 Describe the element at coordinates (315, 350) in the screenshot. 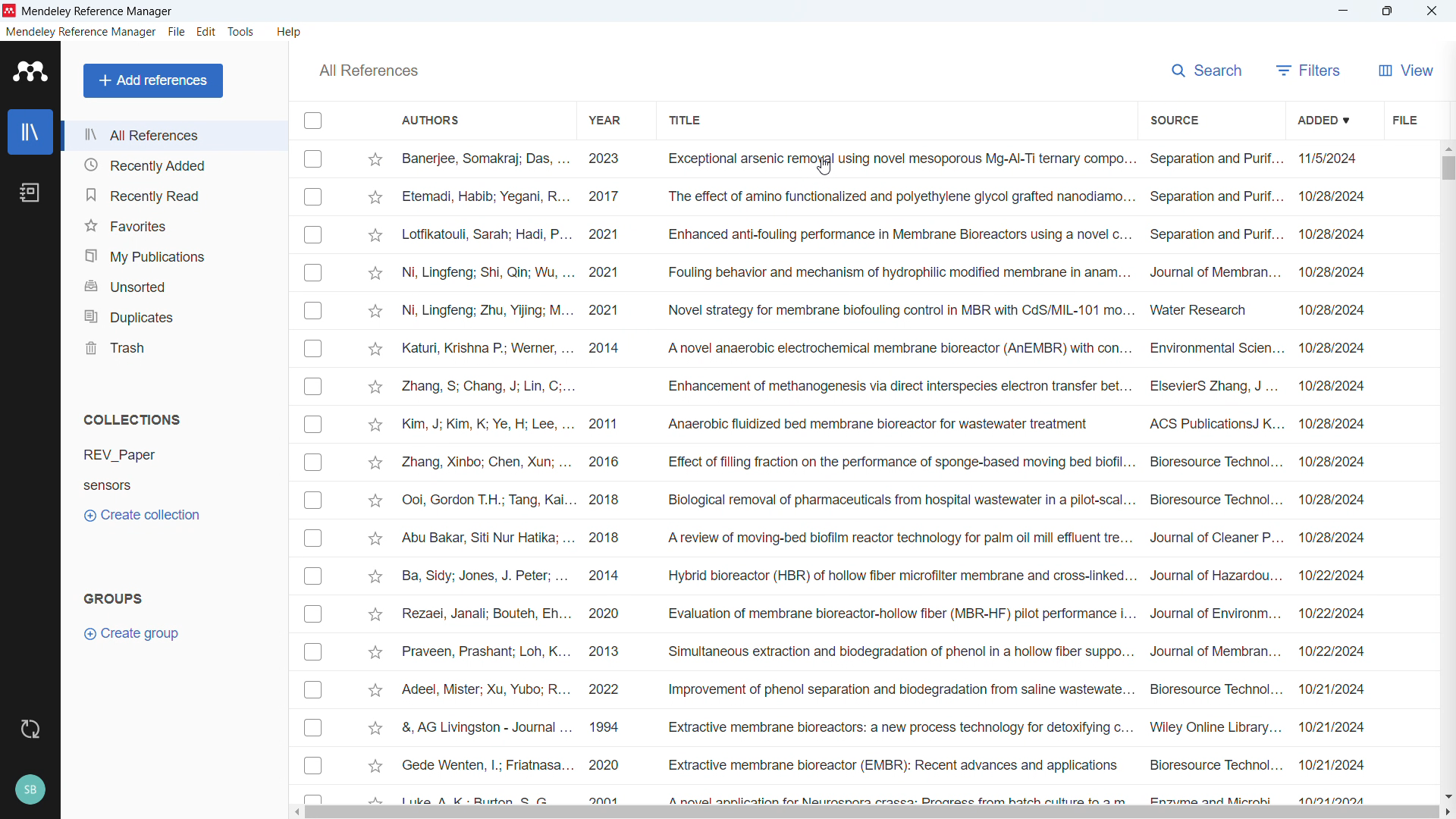

I see `click to select individual entry` at that location.